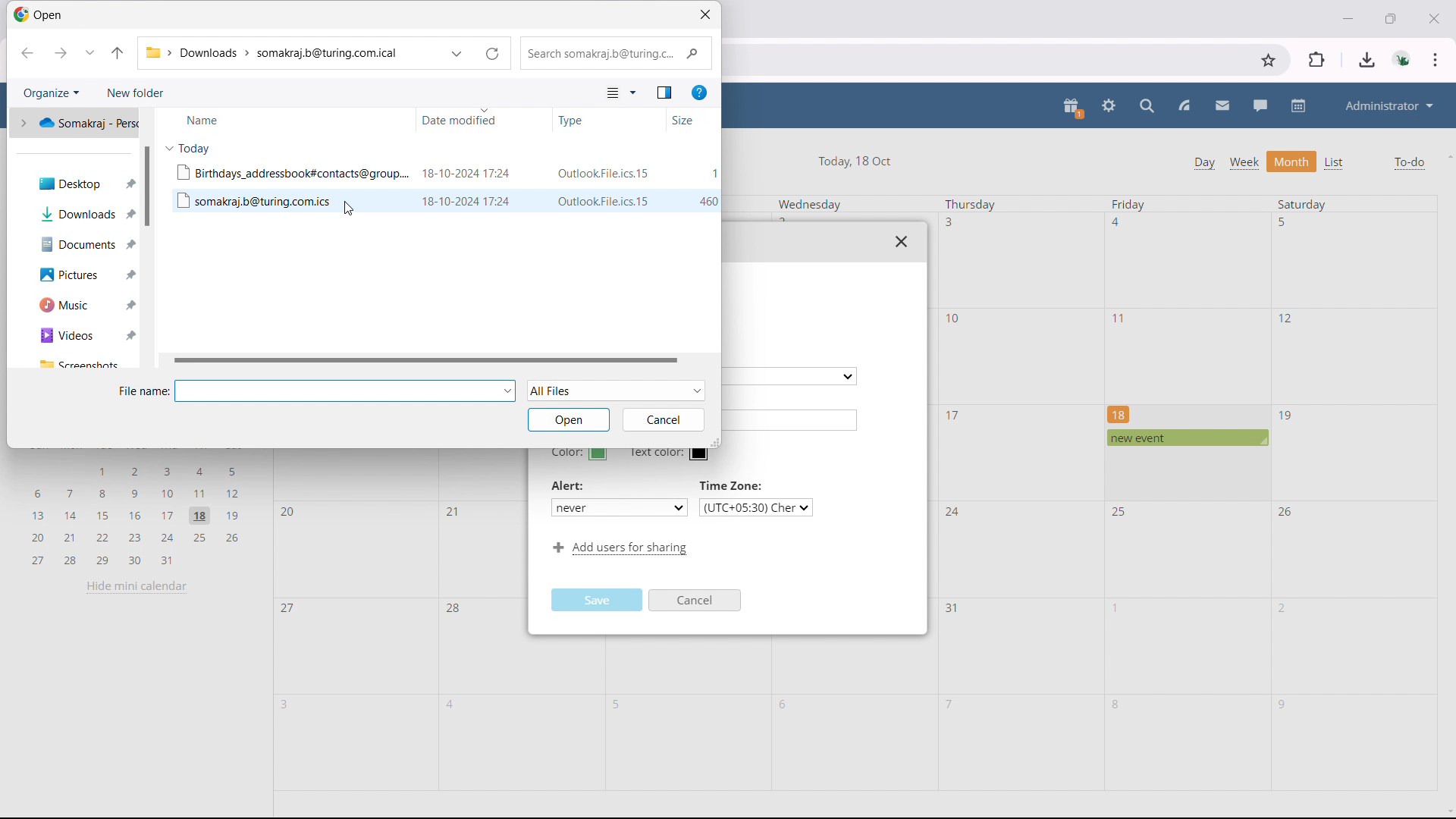  I want to click on next location, so click(58, 53).